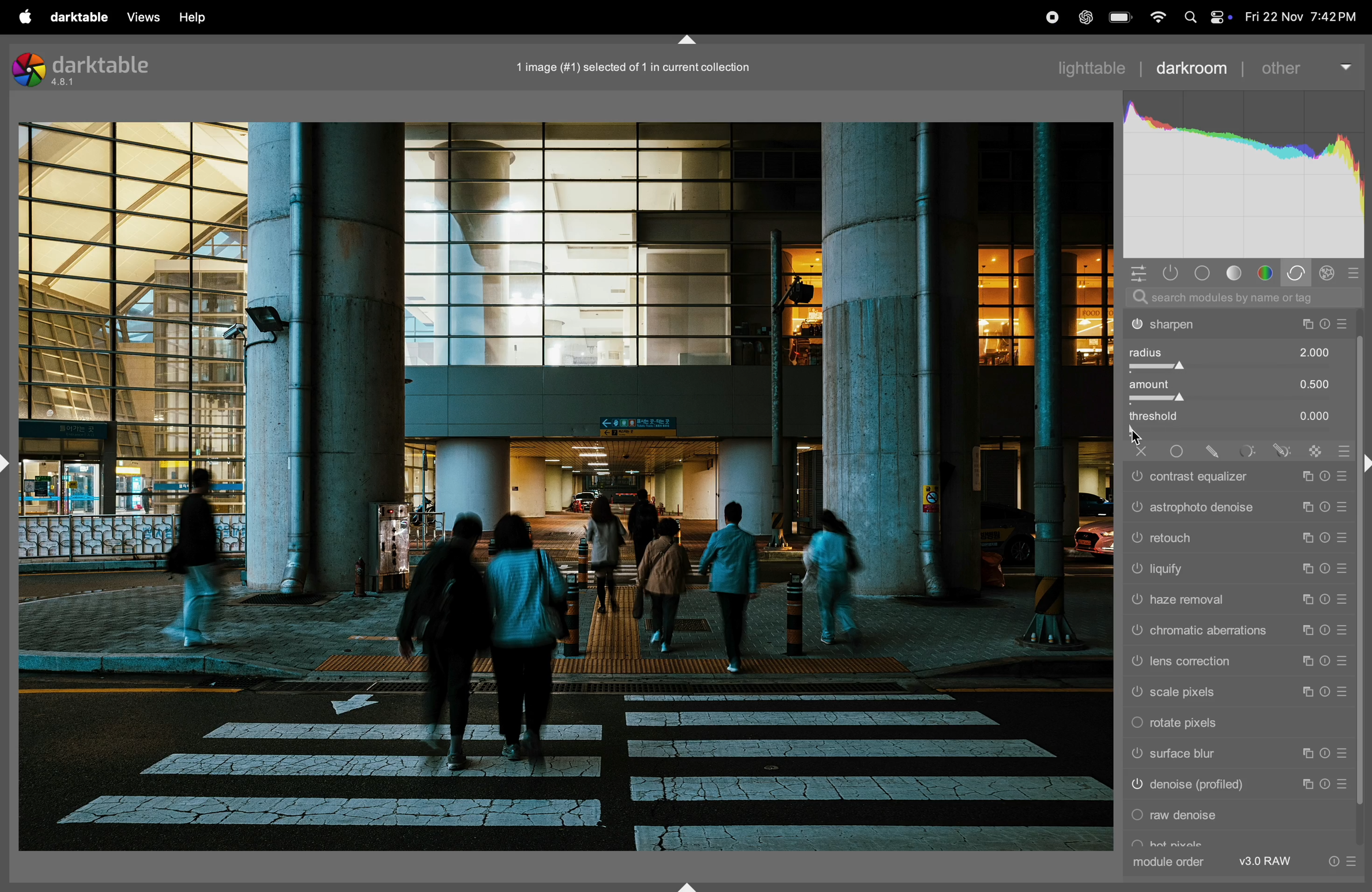 Image resolution: width=1372 pixels, height=892 pixels. Describe the element at coordinates (1238, 818) in the screenshot. I see `raw denoise` at that location.